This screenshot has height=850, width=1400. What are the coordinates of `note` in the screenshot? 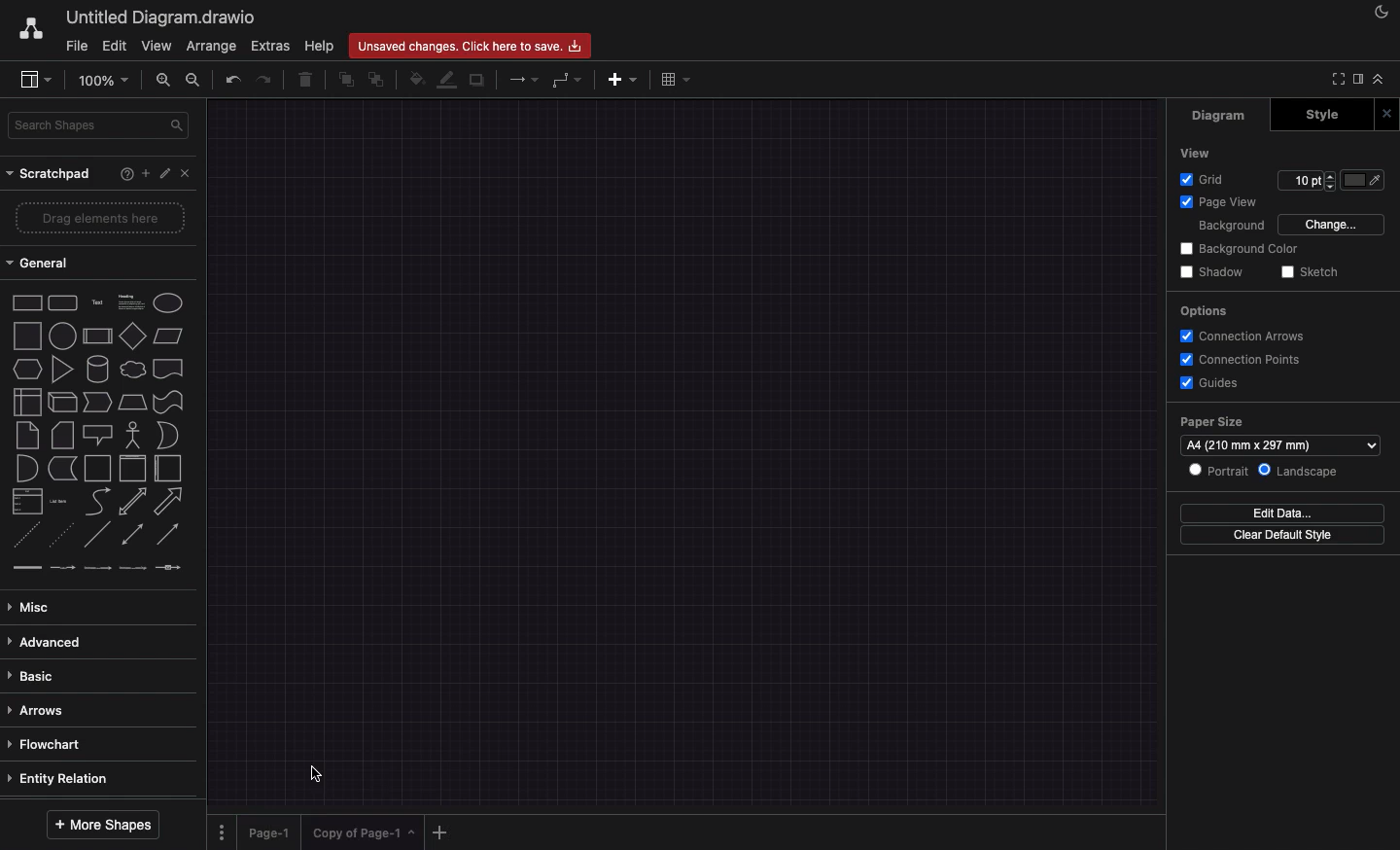 It's located at (28, 435).